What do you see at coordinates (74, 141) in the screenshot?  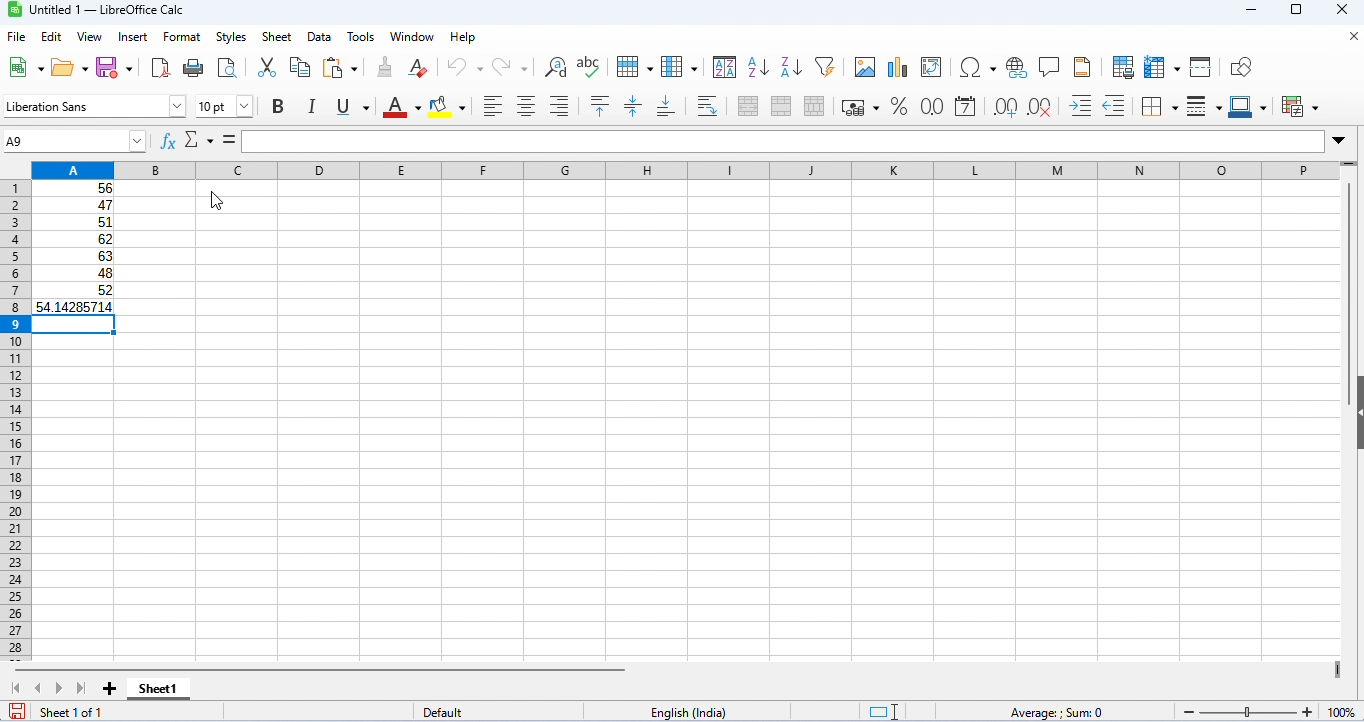 I see `selected cell number` at bounding box center [74, 141].